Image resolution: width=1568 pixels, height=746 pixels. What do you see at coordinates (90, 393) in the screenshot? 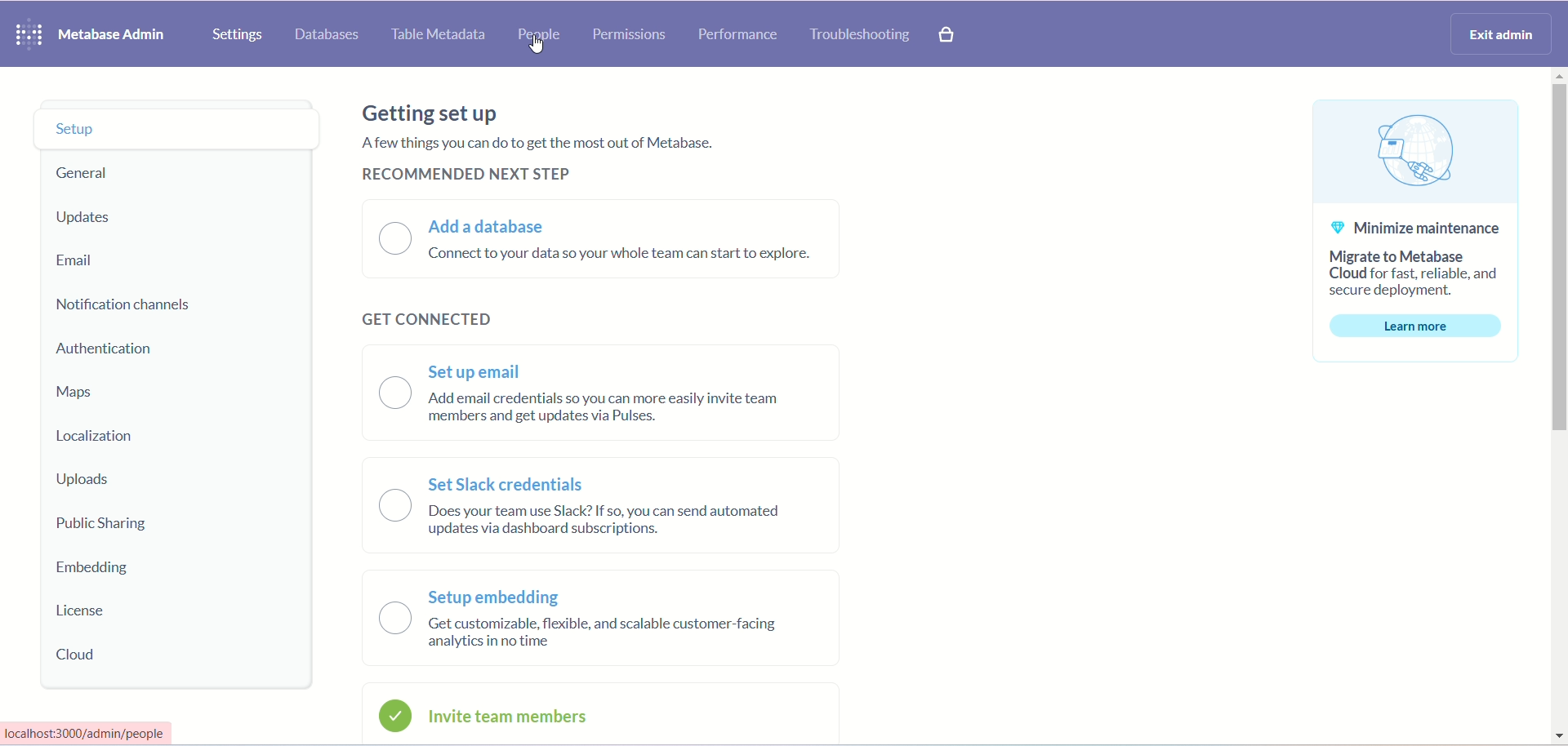
I see `maps` at bounding box center [90, 393].